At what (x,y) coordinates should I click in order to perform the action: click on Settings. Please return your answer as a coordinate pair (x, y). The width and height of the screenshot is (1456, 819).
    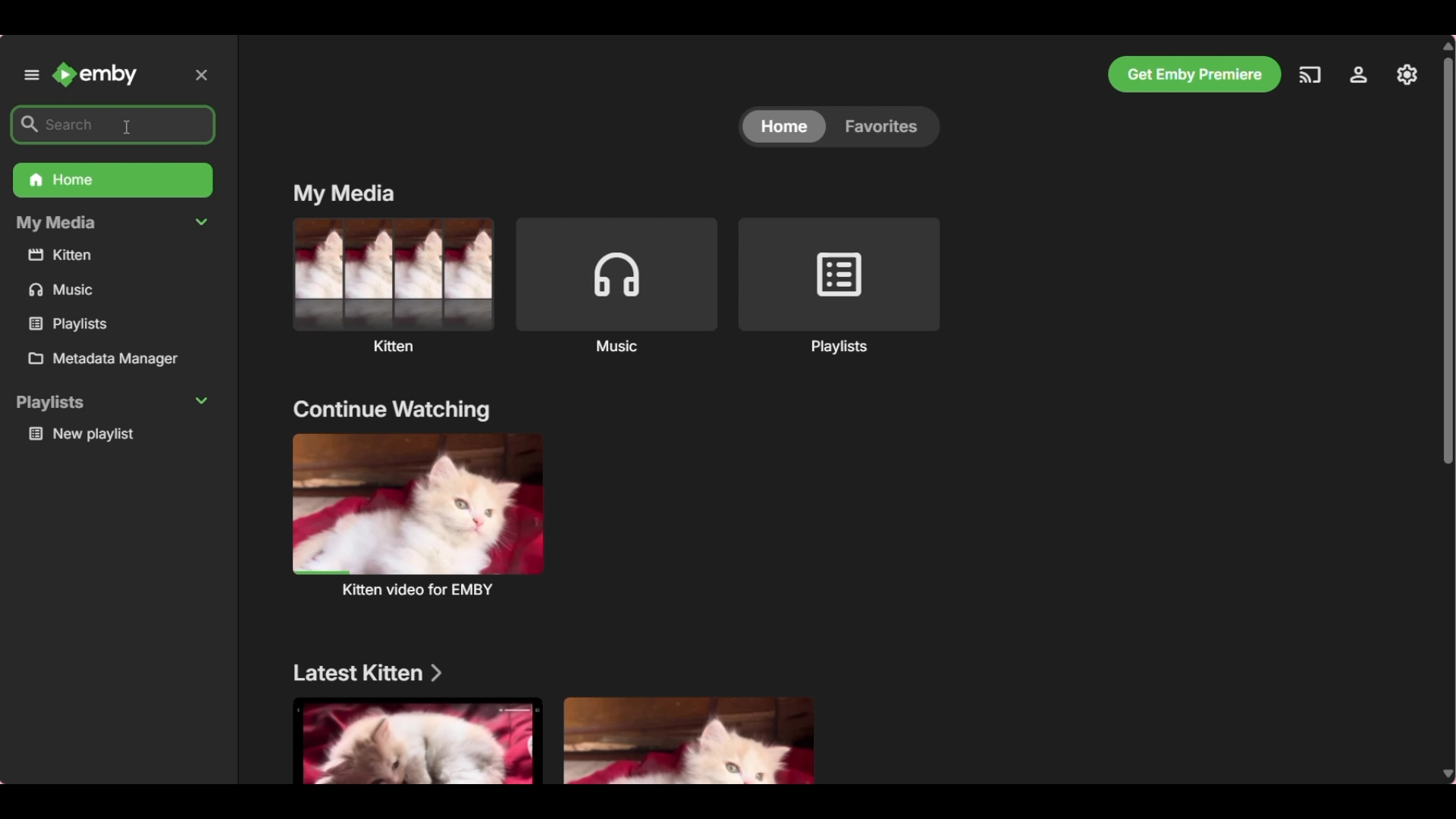
    Looking at the image, I should click on (1408, 74).